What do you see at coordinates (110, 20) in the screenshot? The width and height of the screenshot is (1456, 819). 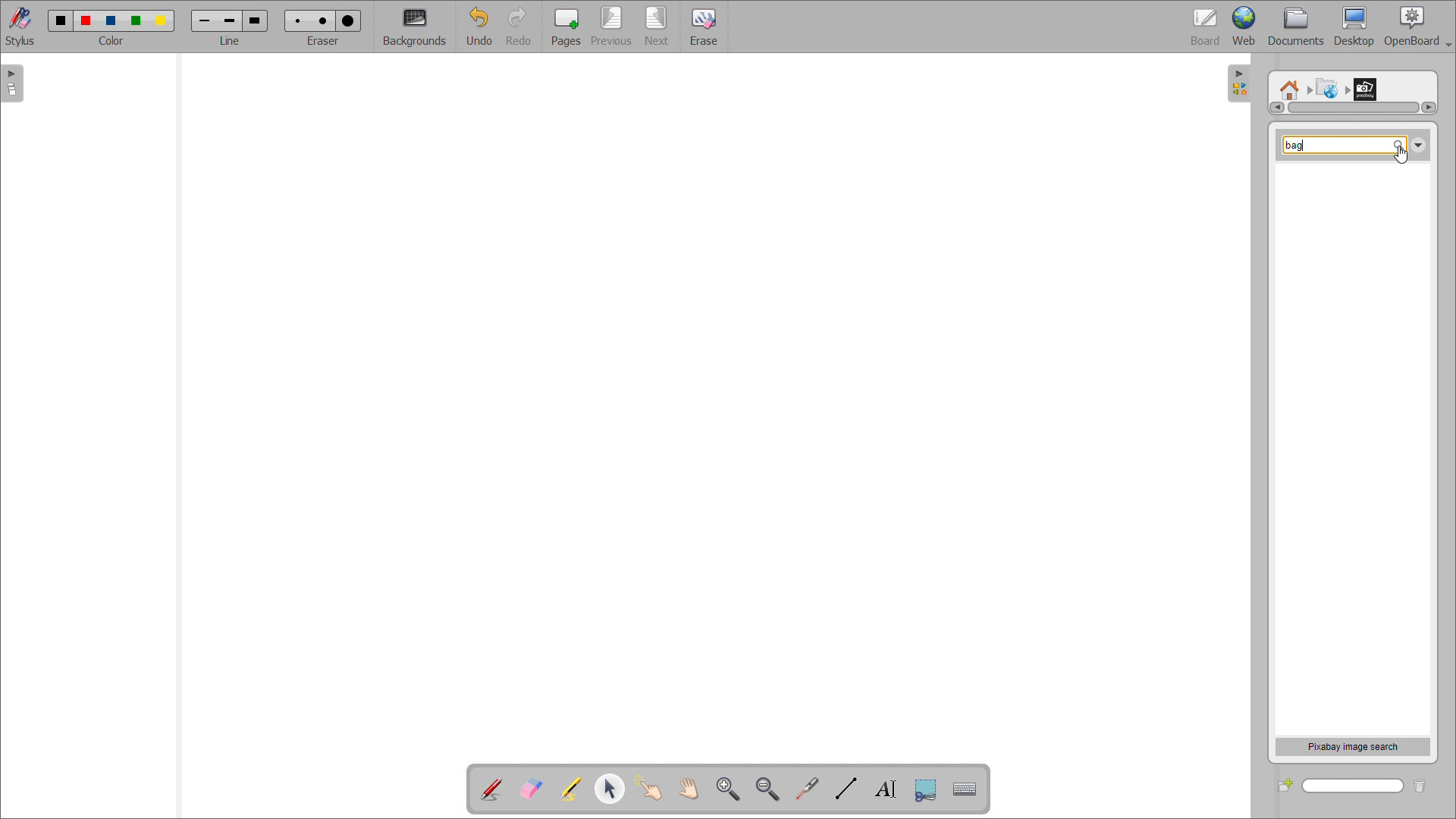 I see `Color 3` at bounding box center [110, 20].